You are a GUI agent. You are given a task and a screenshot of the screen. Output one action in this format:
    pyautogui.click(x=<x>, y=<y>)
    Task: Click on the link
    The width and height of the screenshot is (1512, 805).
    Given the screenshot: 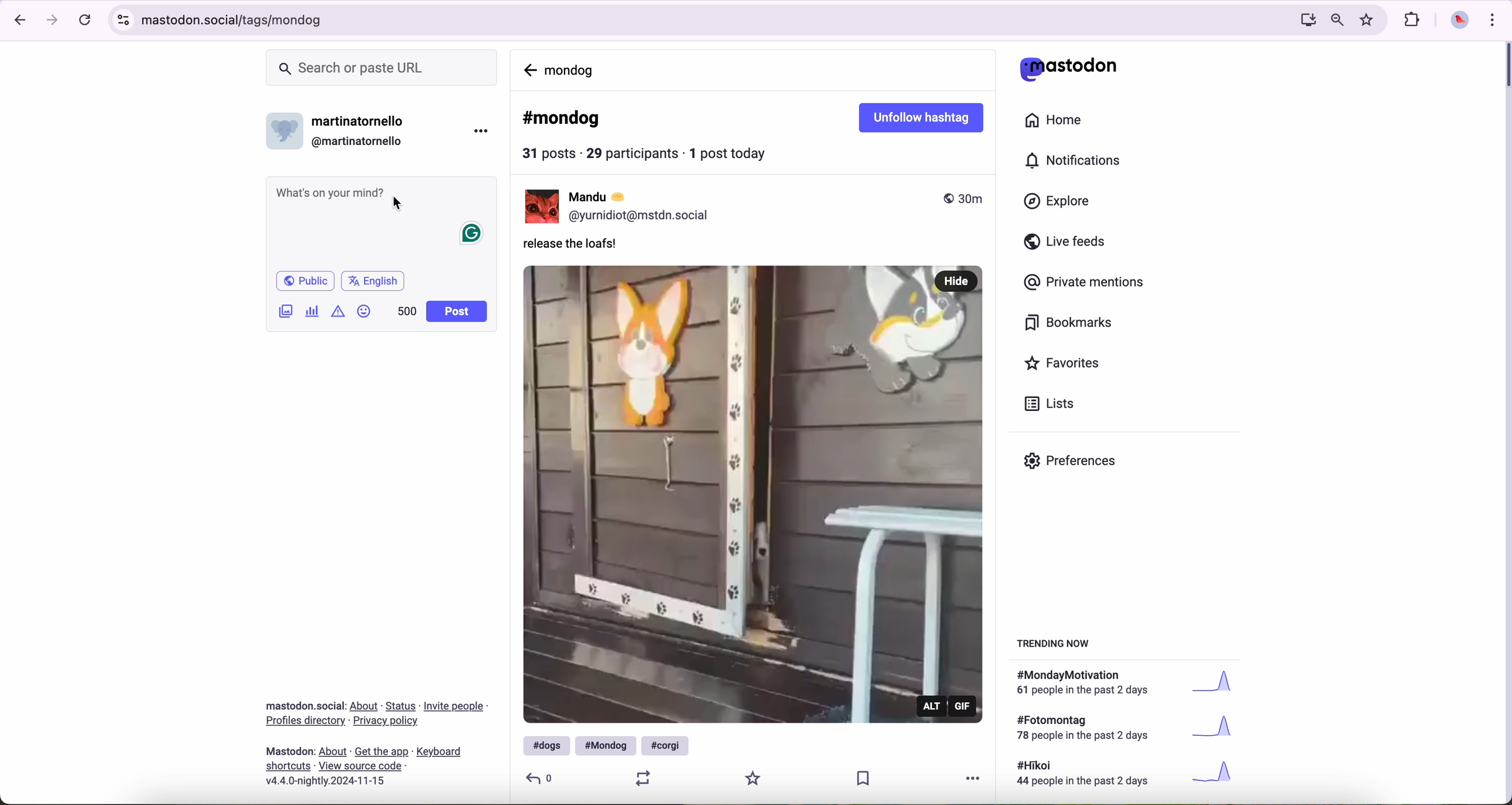 What is the action you would take?
    pyautogui.click(x=439, y=753)
    